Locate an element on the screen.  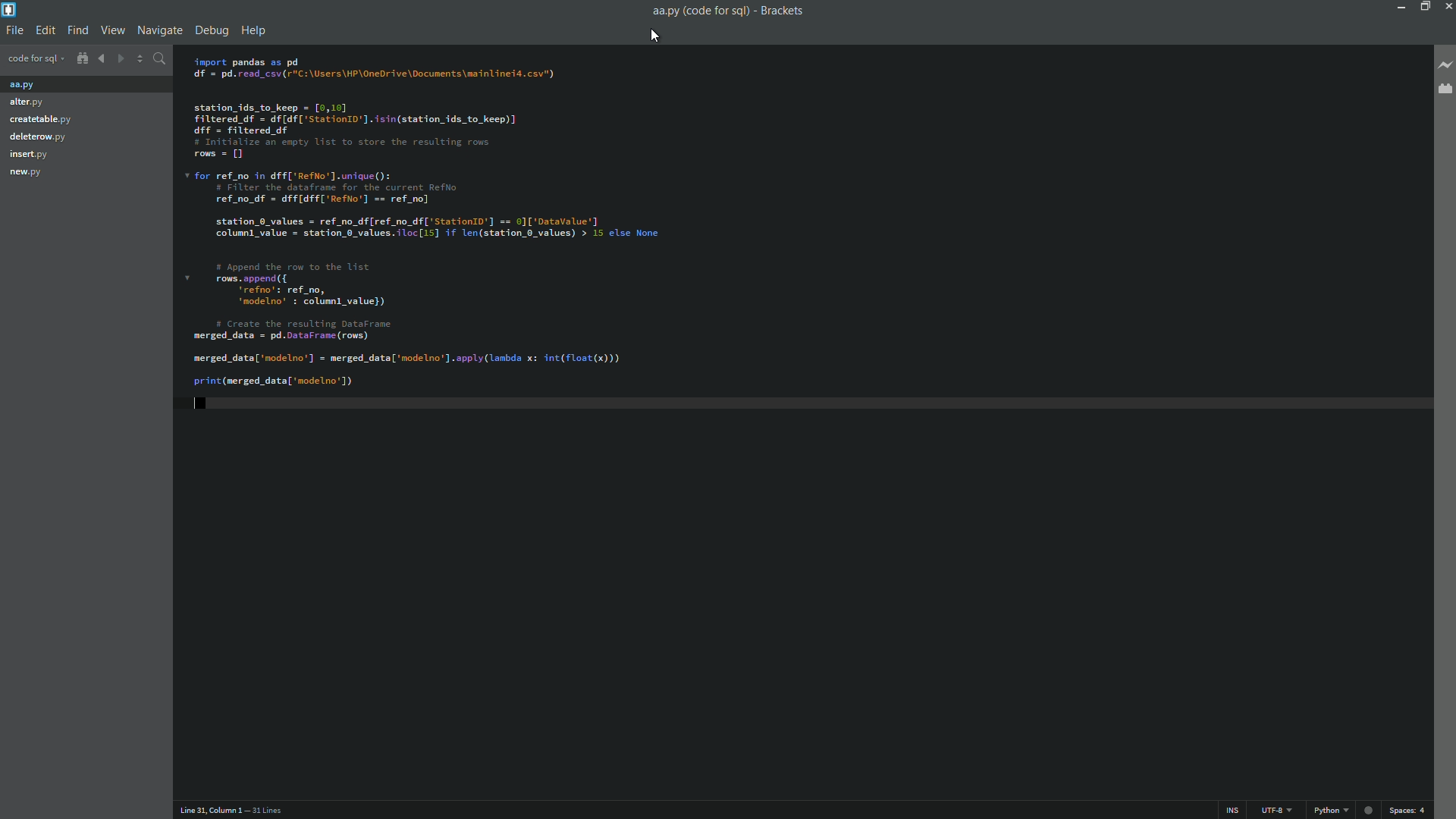
maximize is located at coordinates (1423, 6).